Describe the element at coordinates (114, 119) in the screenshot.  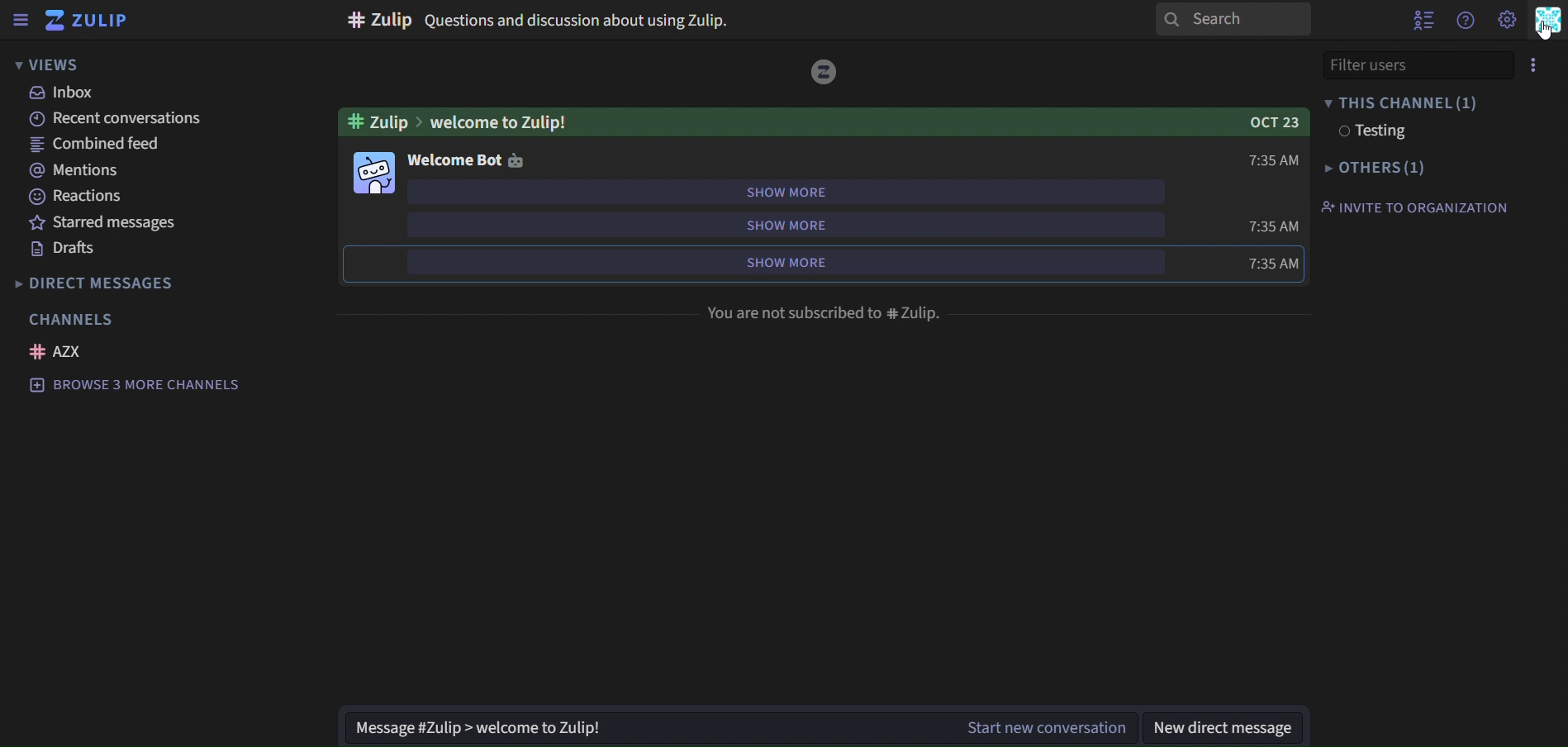
I see `recent conversations` at that location.